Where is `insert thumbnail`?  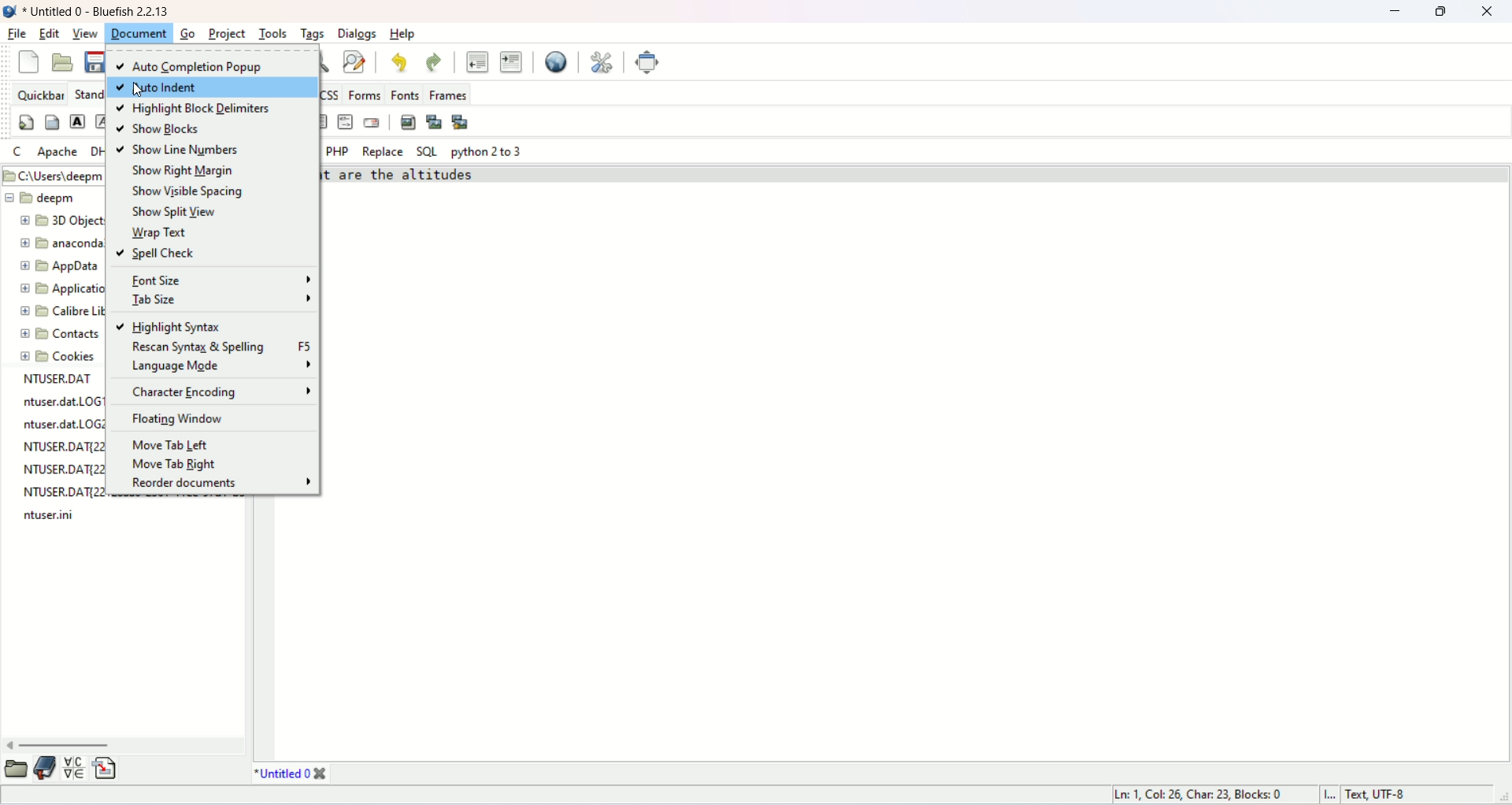
insert thumbnail is located at coordinates (435, 122).